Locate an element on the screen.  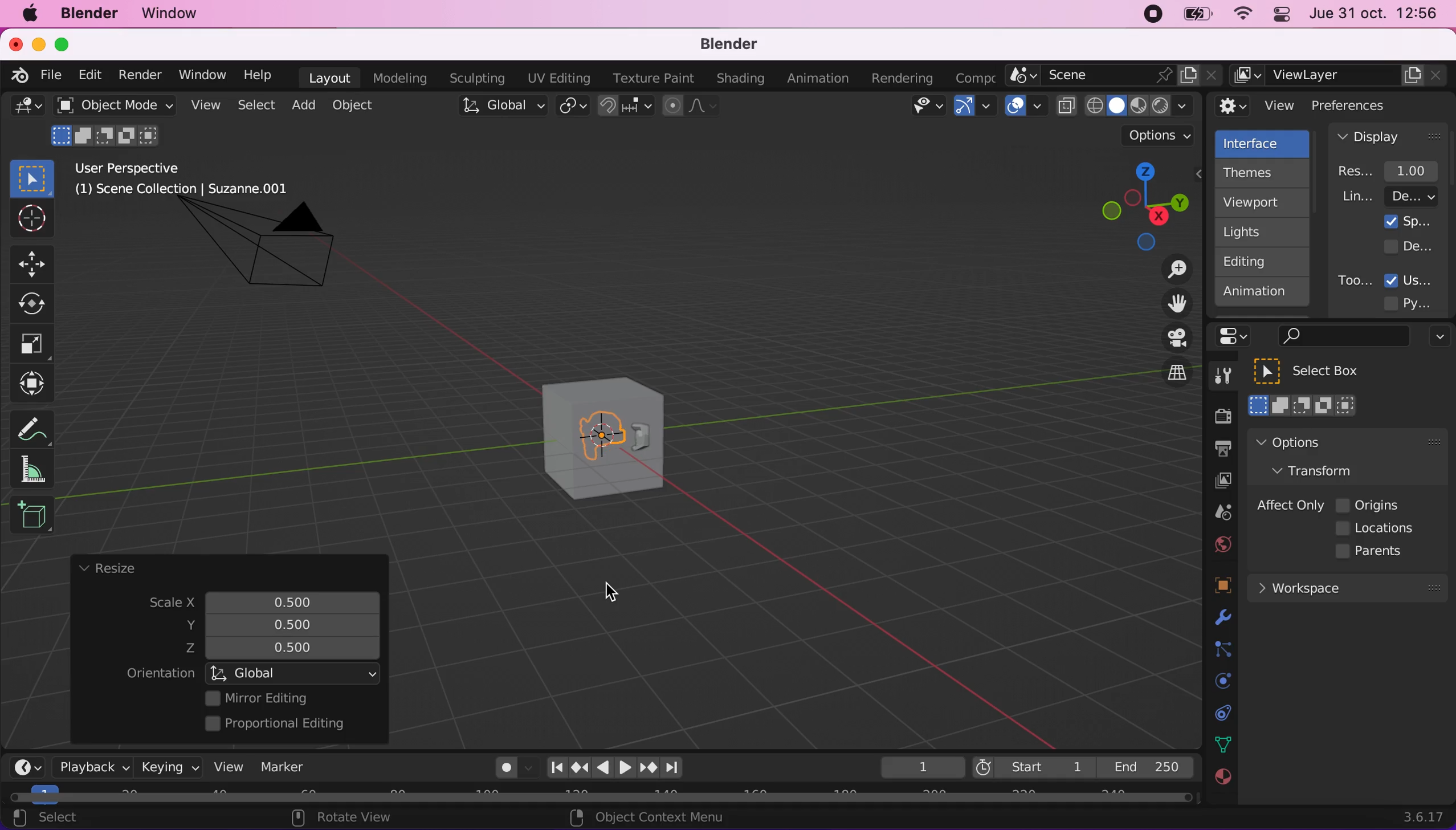
transform is located at coordinates (1324, 470).